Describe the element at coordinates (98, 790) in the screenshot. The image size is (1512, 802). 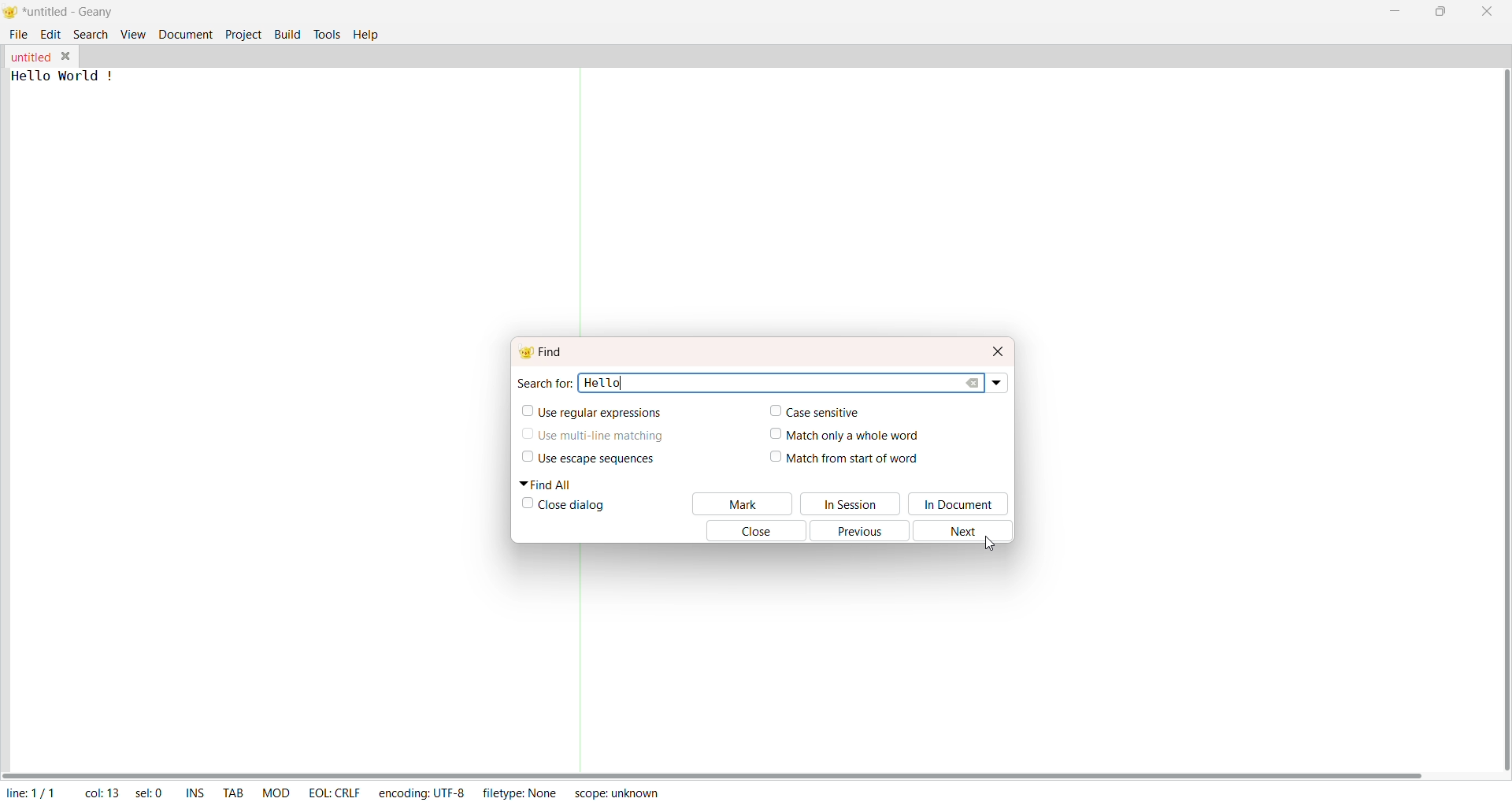
I see `Col: 13` at that location.